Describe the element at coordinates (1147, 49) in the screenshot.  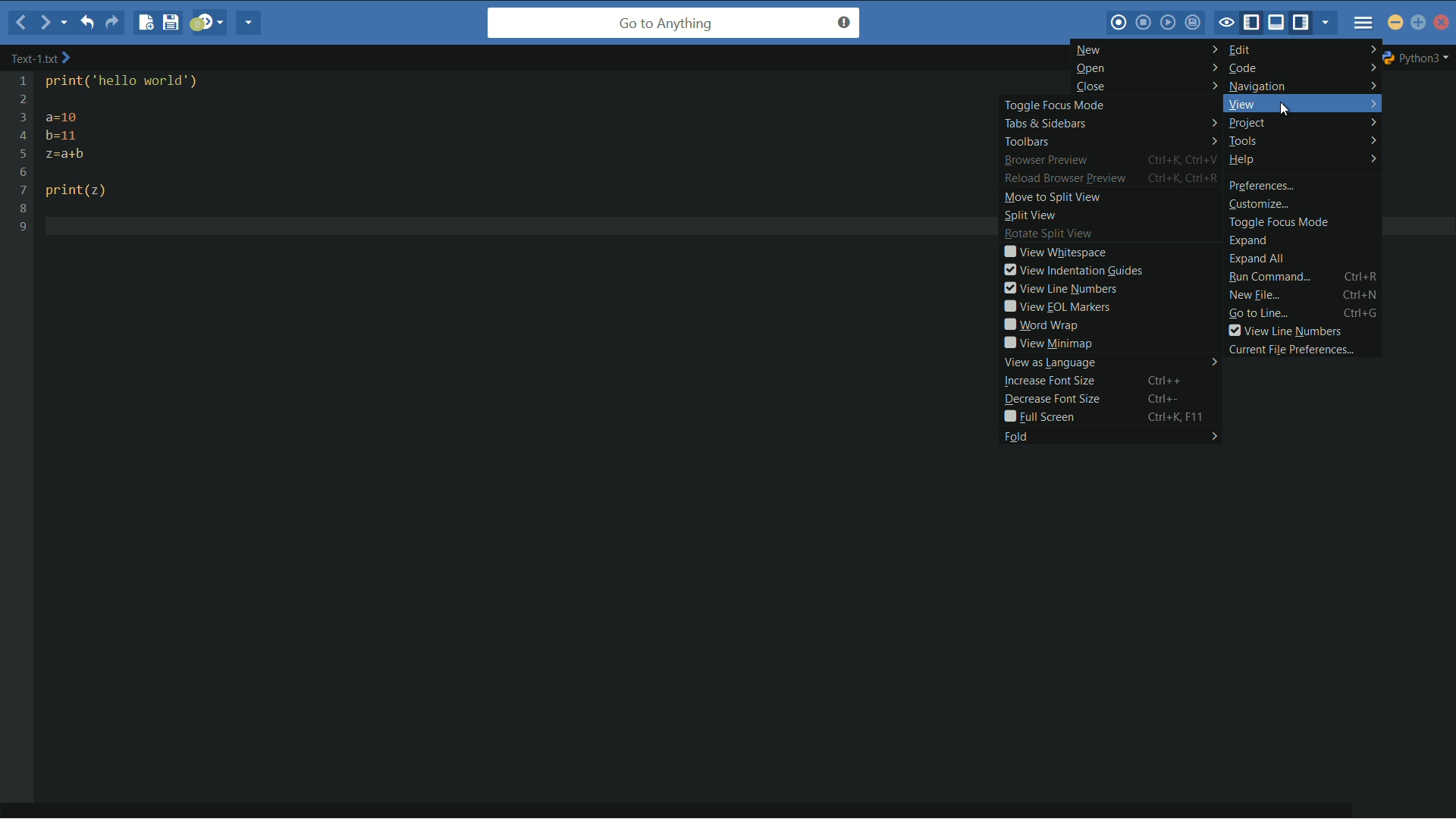
I see `new` at that location.